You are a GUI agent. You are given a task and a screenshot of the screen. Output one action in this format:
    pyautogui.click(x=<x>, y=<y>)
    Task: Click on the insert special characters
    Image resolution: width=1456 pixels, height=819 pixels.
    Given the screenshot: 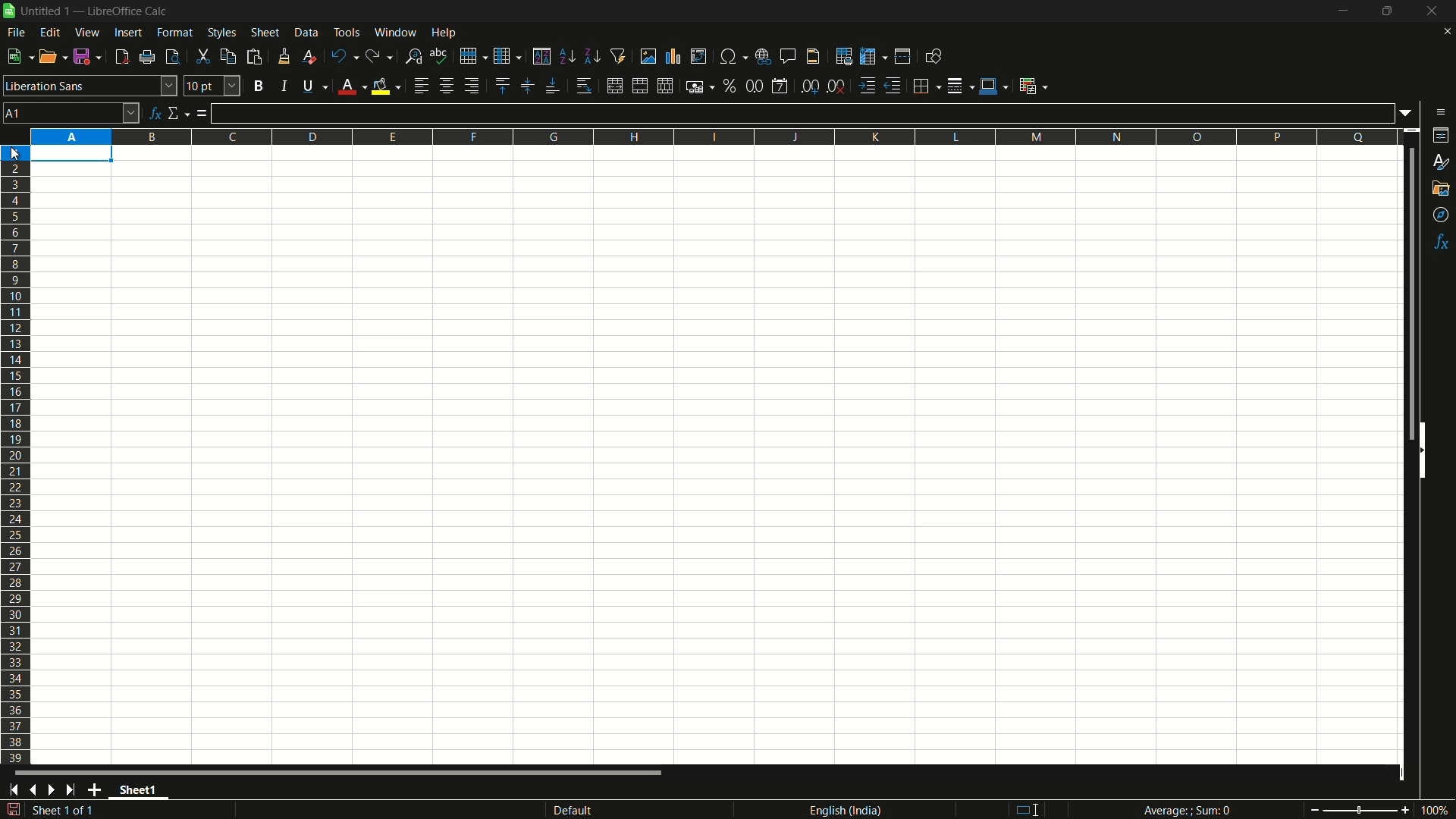 What is the action you would take?
    pyautogui.click(x=733, y=55)
    